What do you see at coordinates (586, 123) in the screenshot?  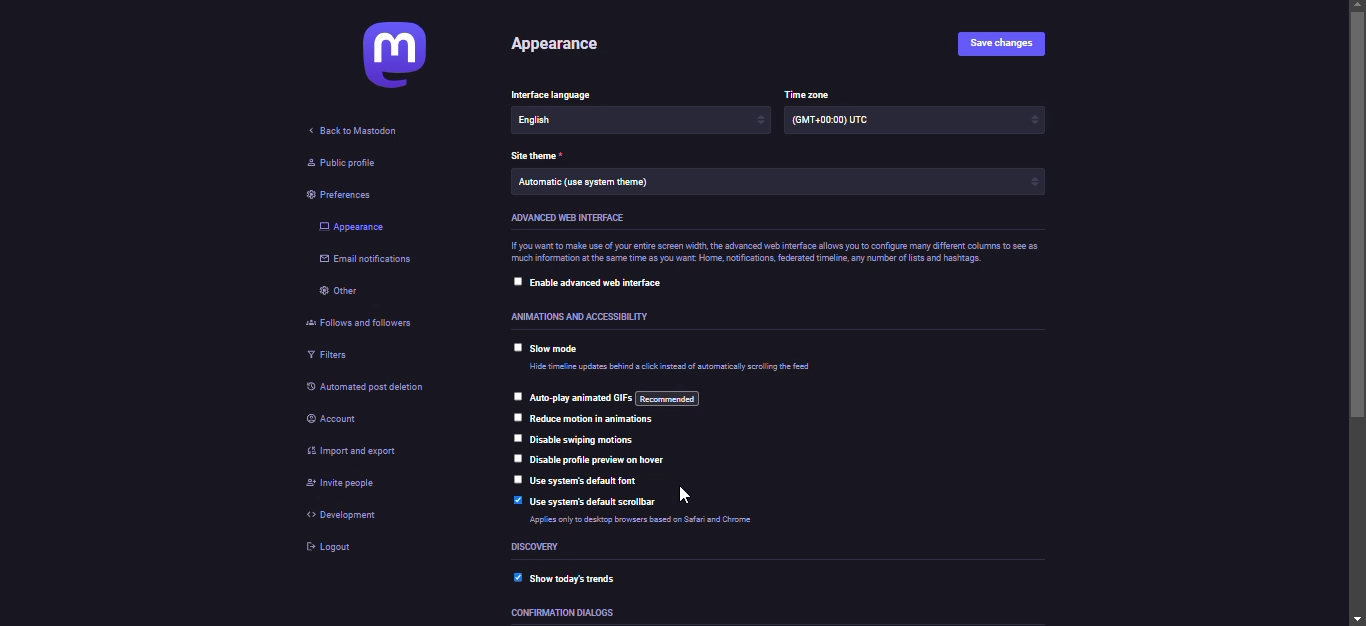 I see `language` at bounding box center [586, 123].